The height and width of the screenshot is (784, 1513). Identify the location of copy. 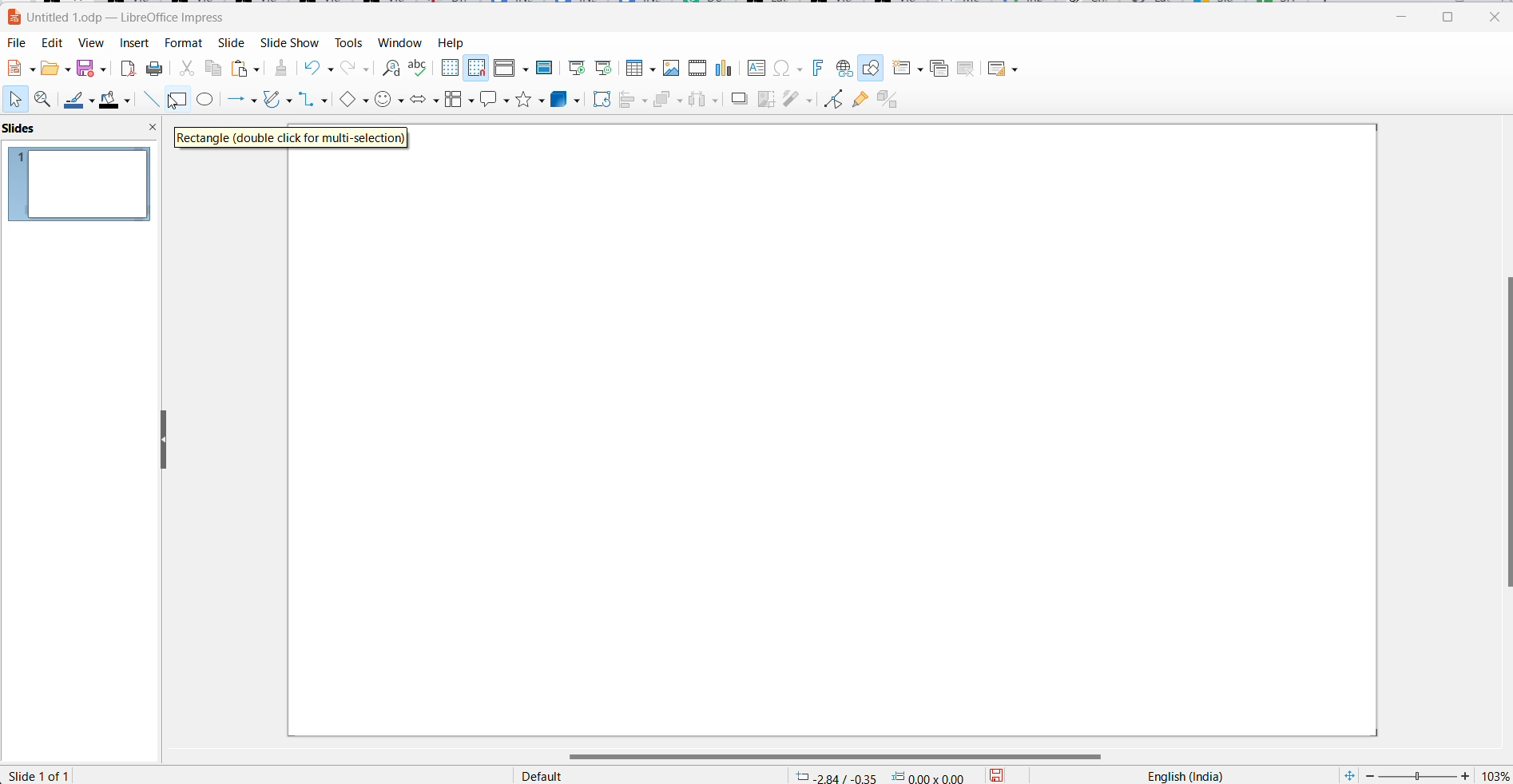
(215, 69).